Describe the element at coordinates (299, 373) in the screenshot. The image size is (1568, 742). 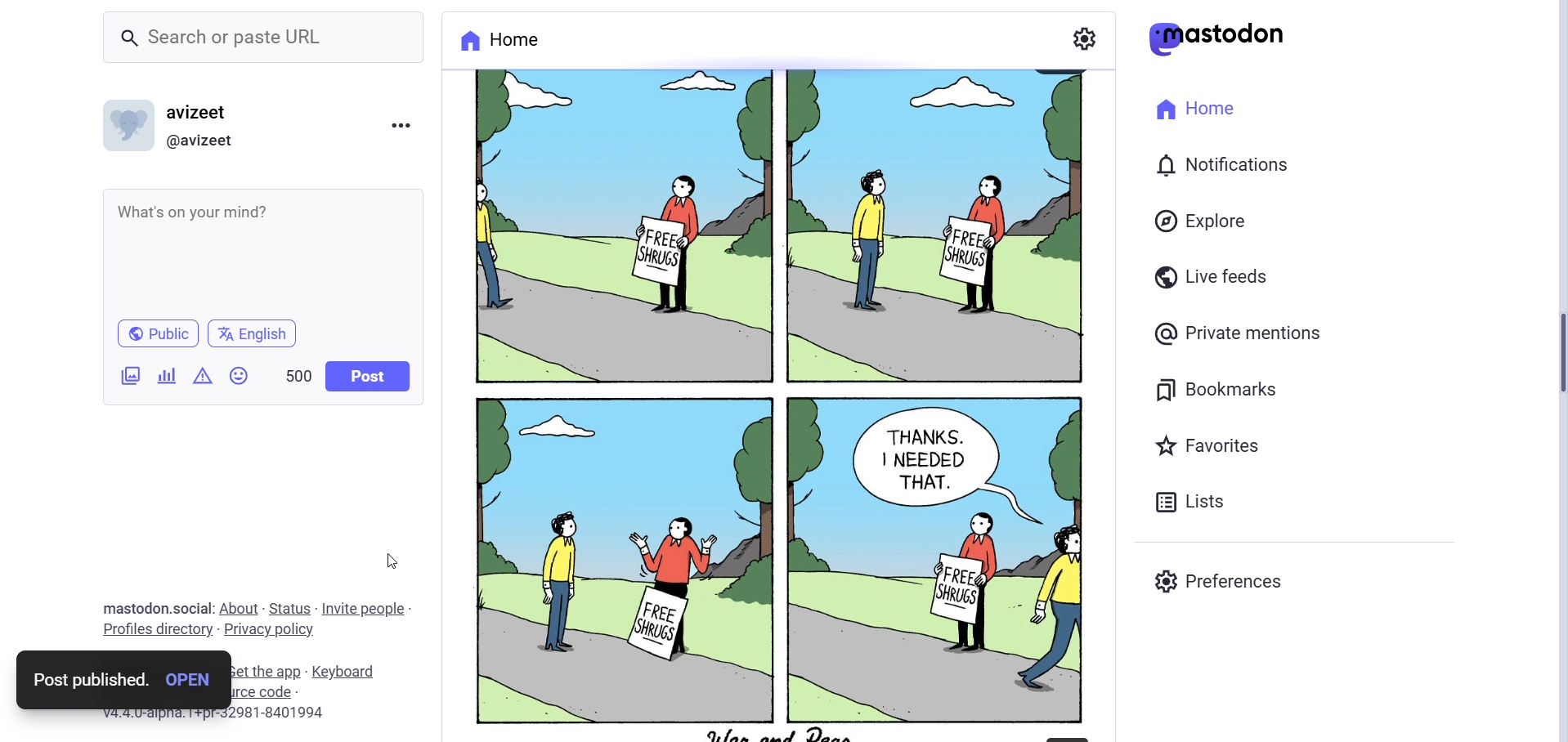
I see `Word Limit` at that location.